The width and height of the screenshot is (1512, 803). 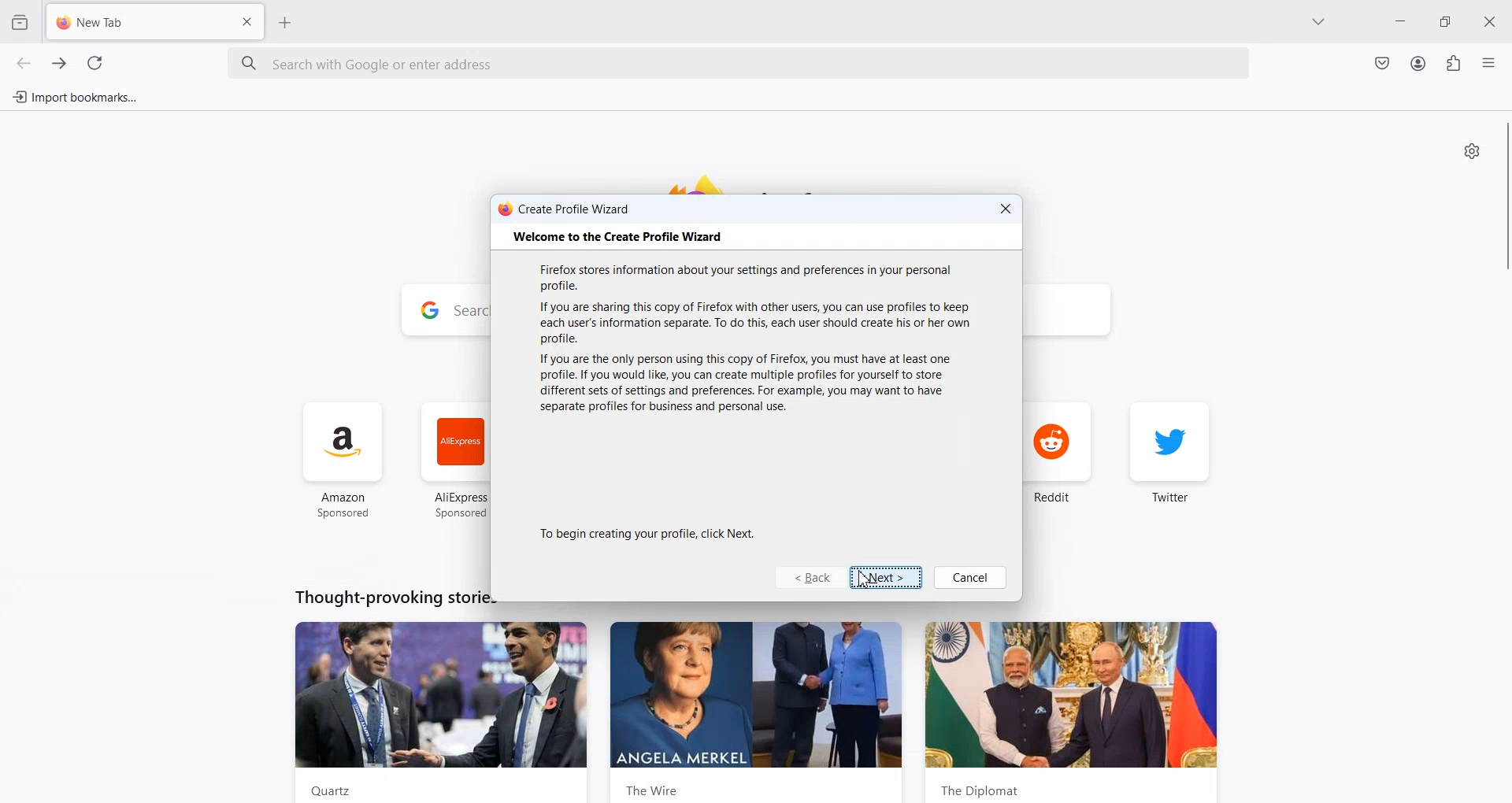 What do you see at coordinates (740, 65) in the screenshot?
I see `Search bar` at bounding box center [740, 65].